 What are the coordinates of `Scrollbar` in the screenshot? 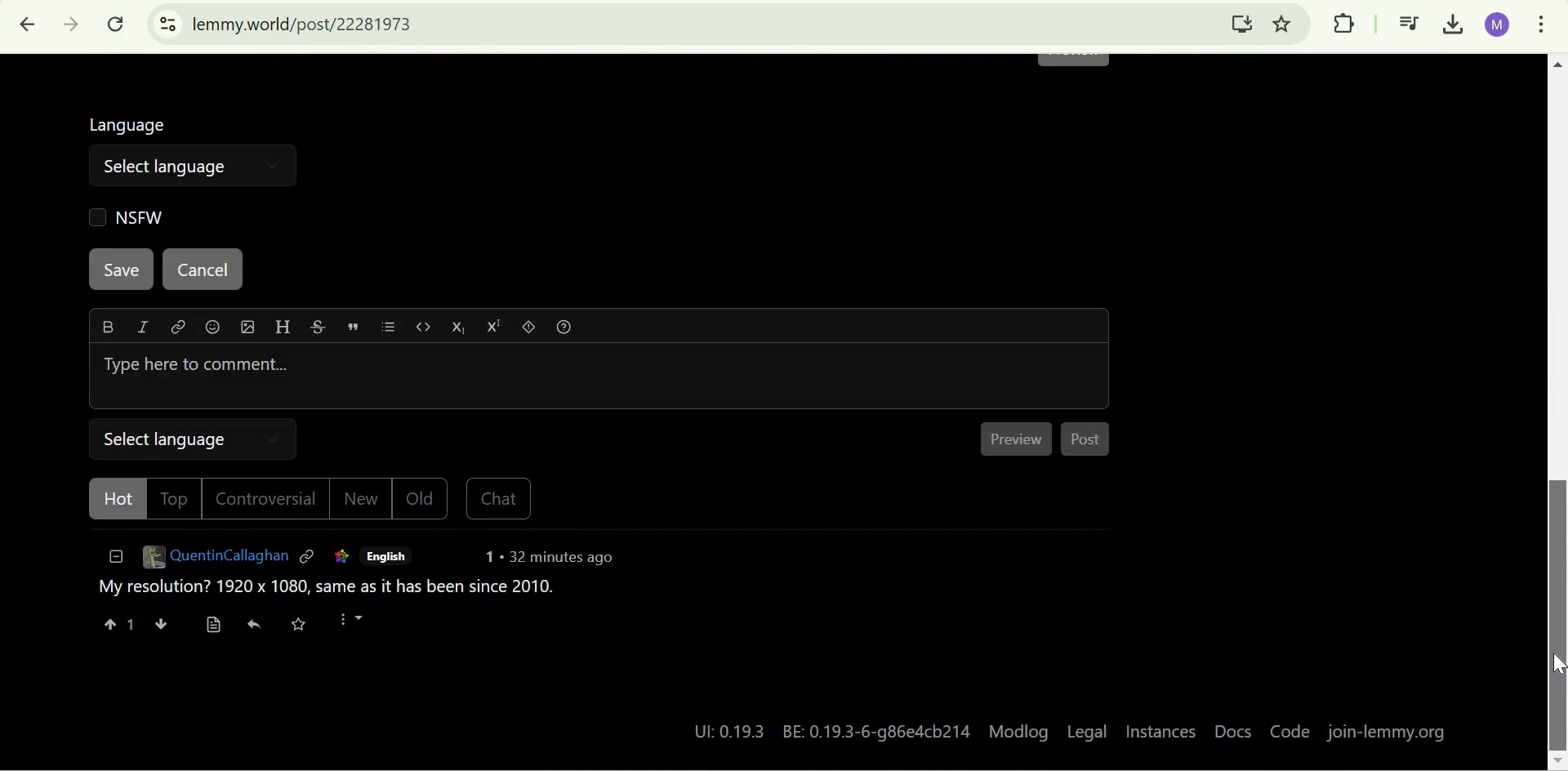 It's located at (1557, 409).